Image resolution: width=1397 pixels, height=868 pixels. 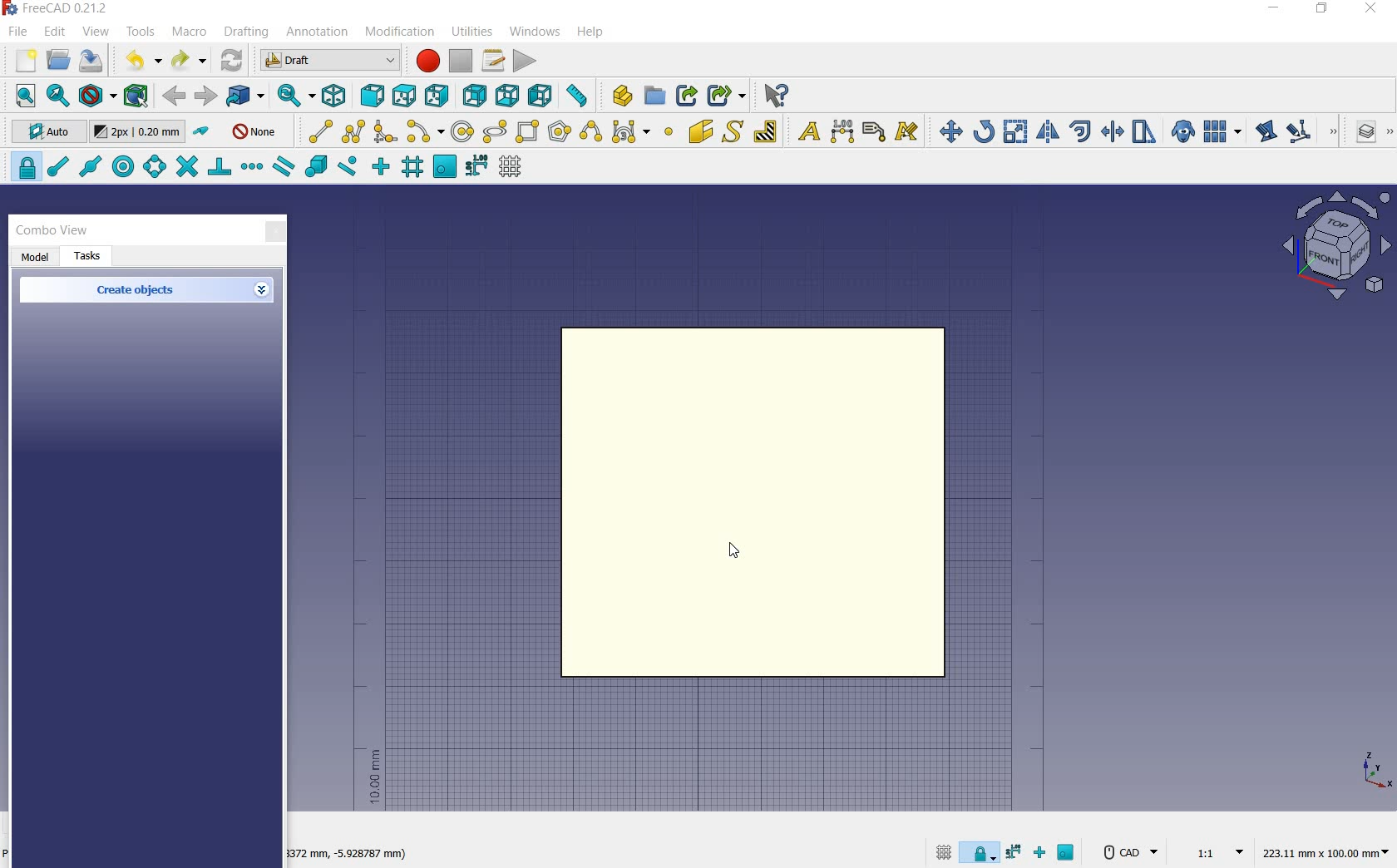 What do you see at coordinates (264, 291) in the screenshot?
I see `expand` at bounding box center [264, 291].